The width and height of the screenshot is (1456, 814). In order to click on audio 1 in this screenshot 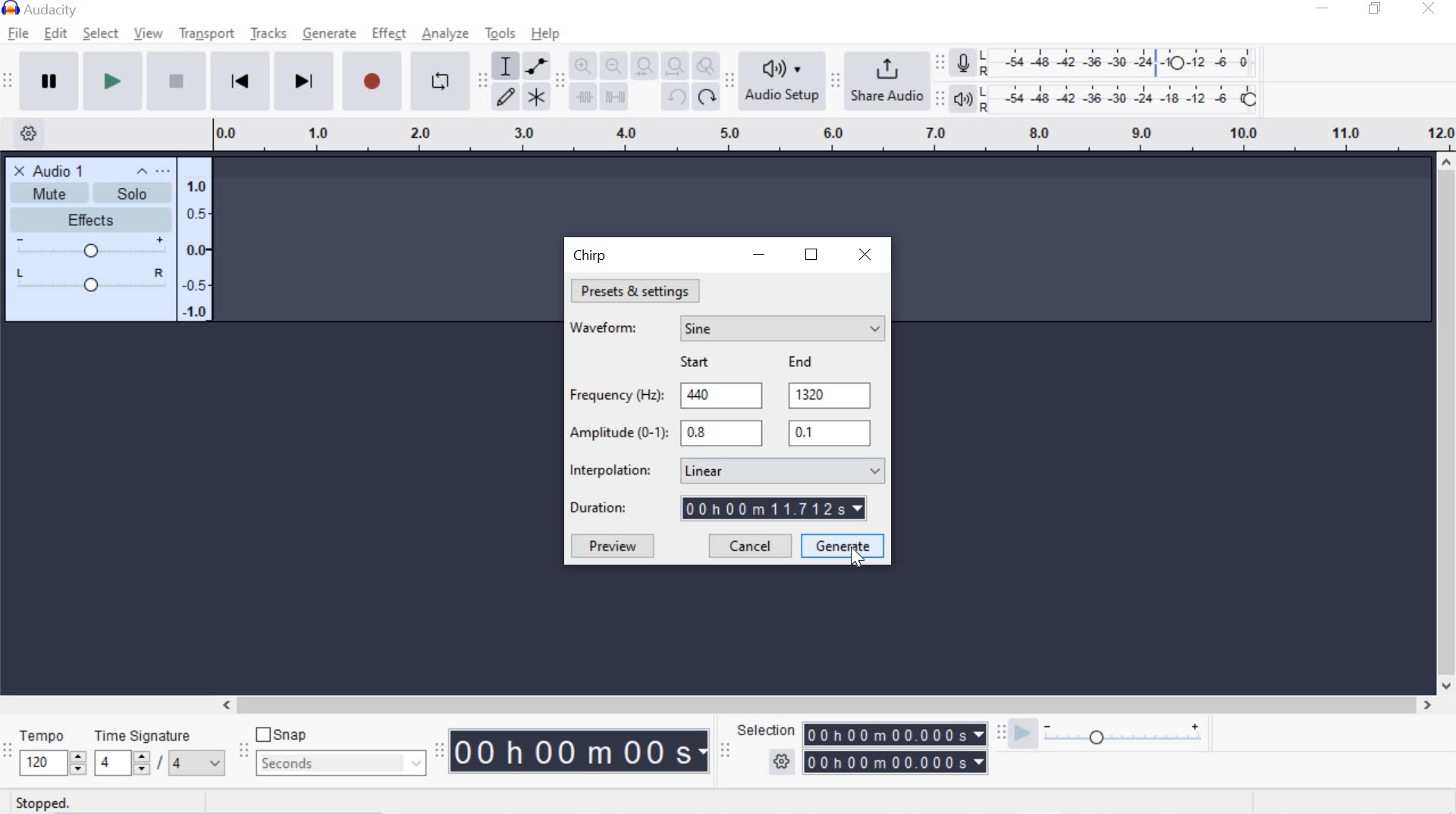, I will do `click(60, 171)`.